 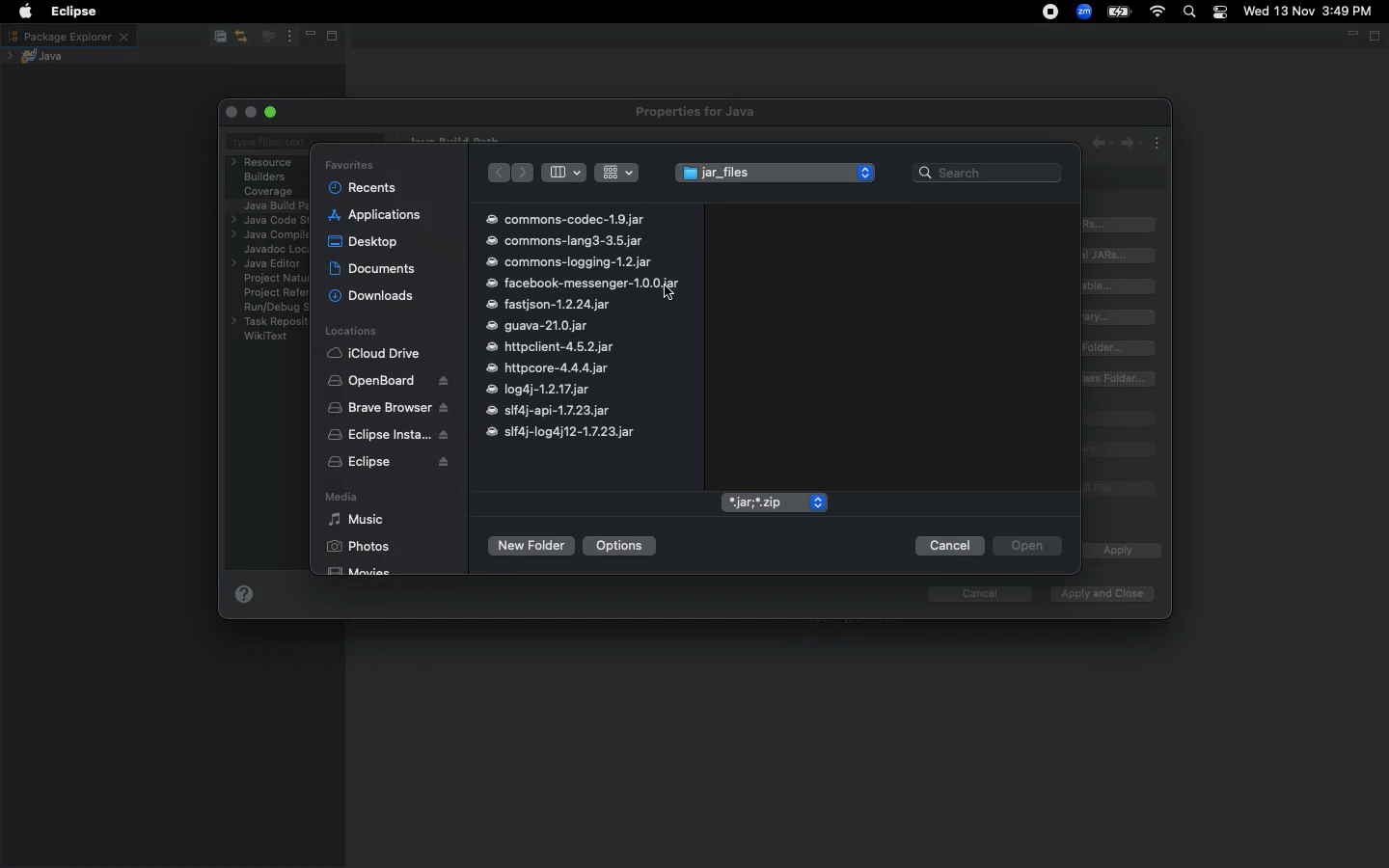 I want to click on view rows, so click(x=617, y=171).